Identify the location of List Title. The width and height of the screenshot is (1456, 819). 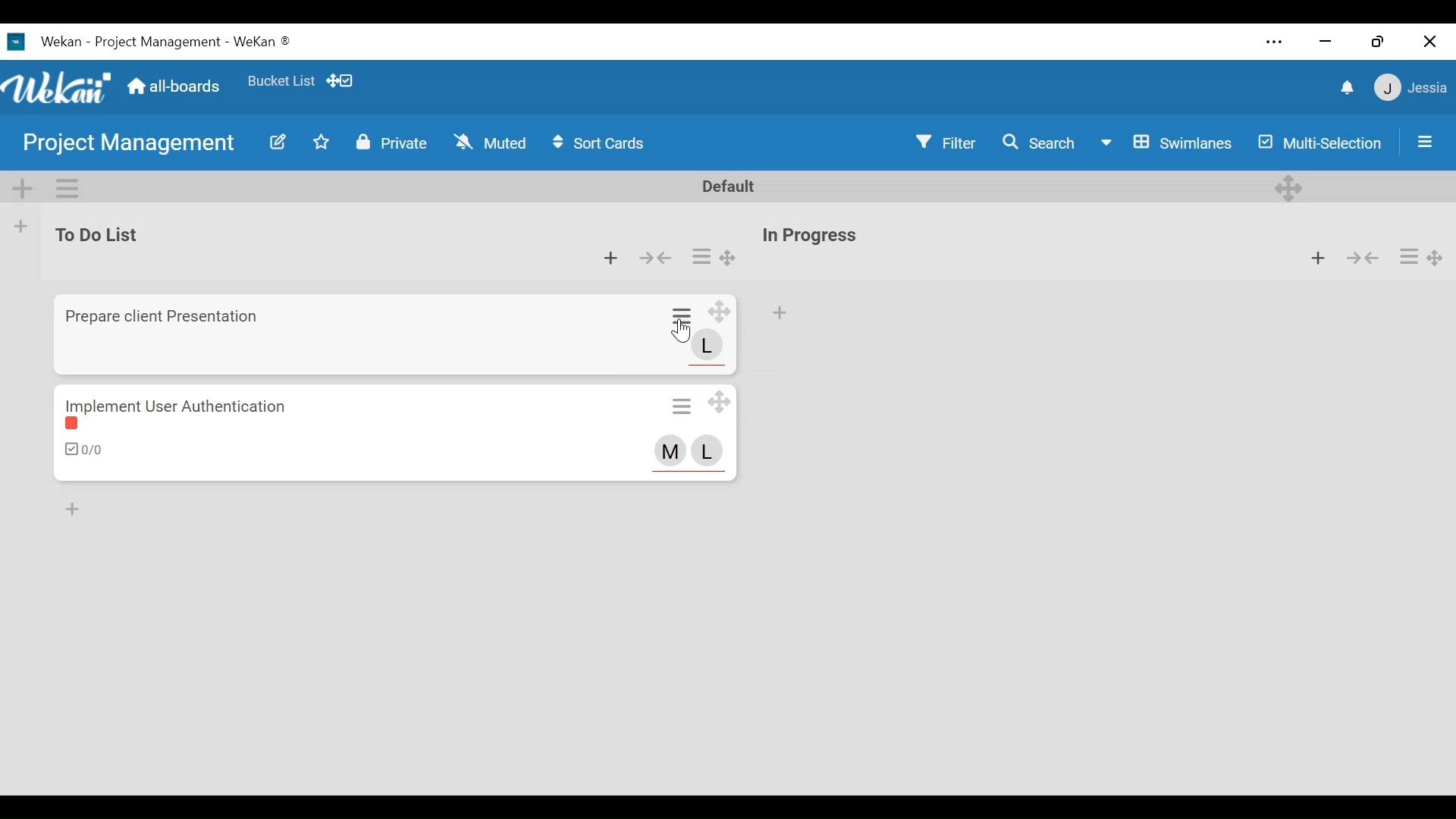
(102, 234).